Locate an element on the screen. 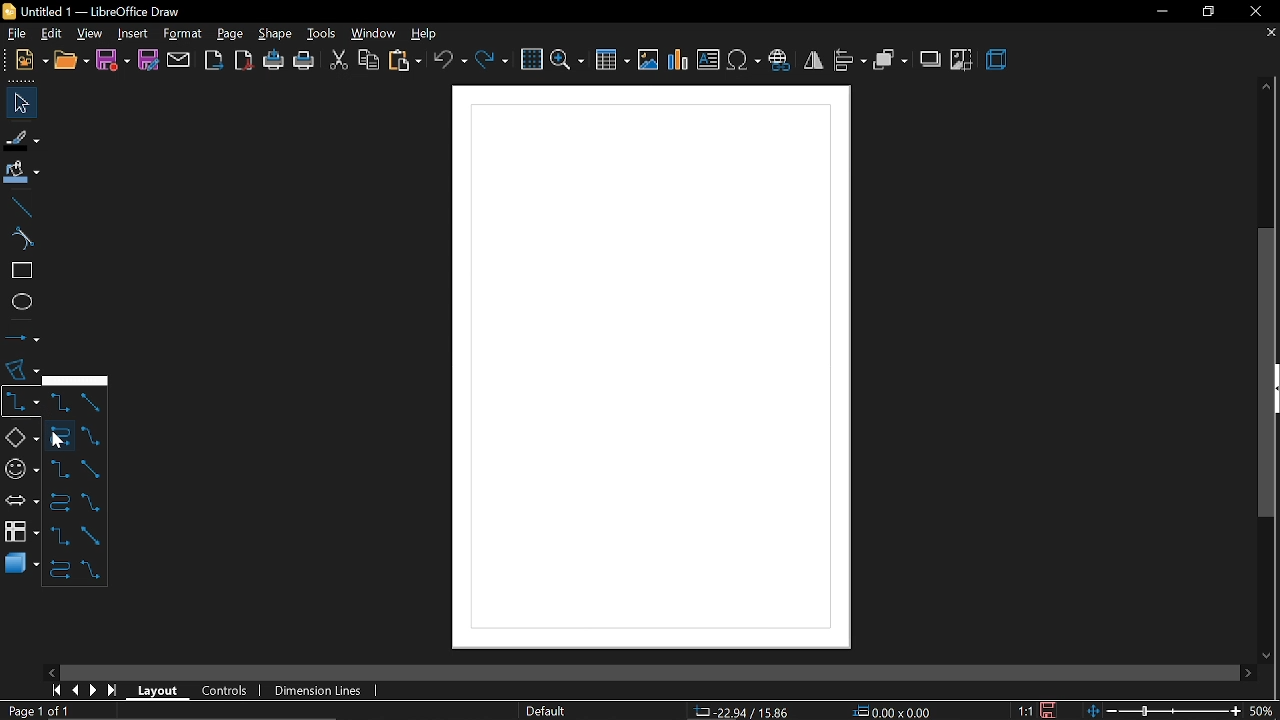 The image size is (1280, 720). zoom is located at coordinates (567, 60).